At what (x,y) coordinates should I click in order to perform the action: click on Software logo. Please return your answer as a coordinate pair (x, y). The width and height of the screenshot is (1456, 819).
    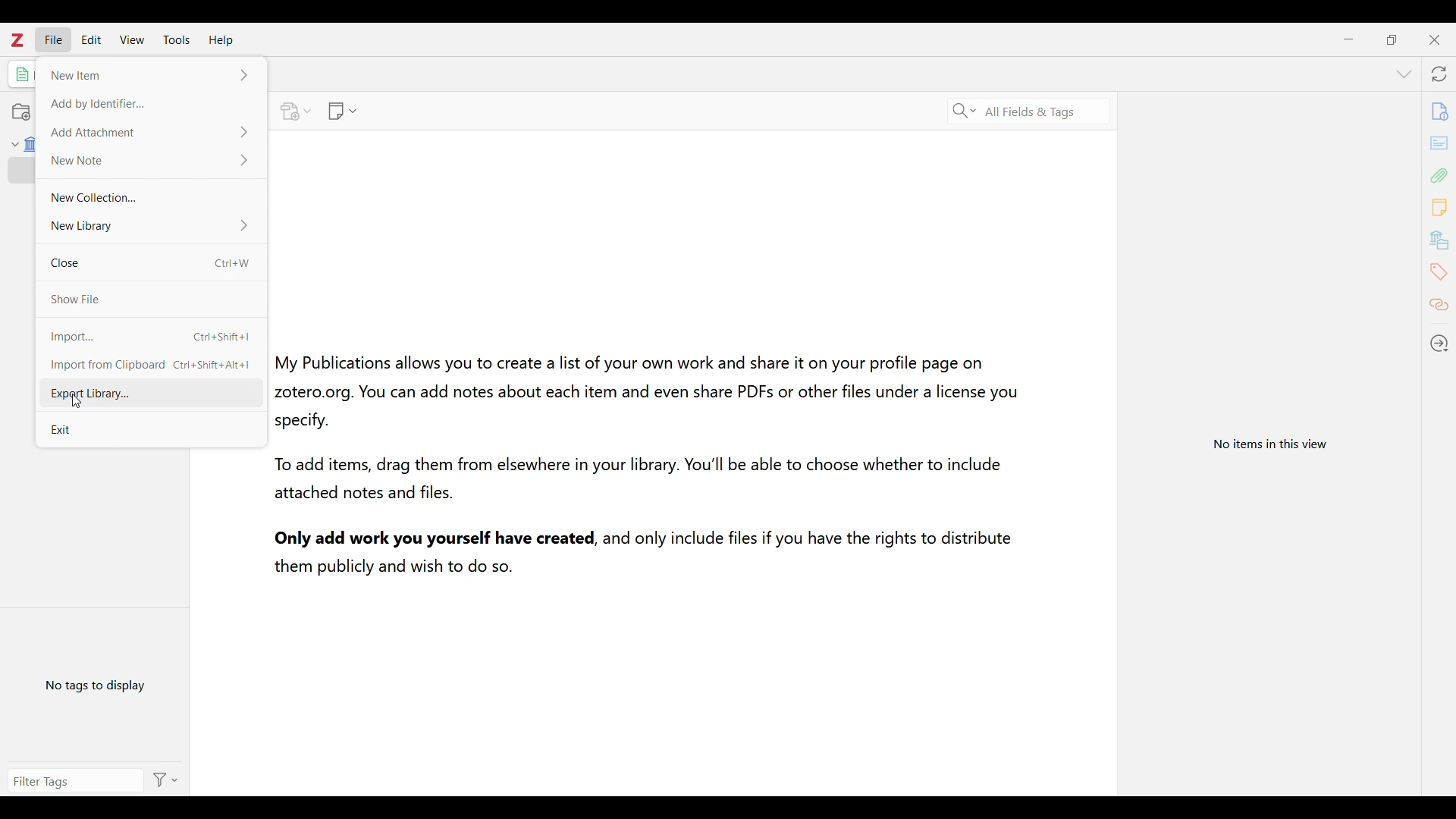
    Looking at the image, I should click on (17, 40).